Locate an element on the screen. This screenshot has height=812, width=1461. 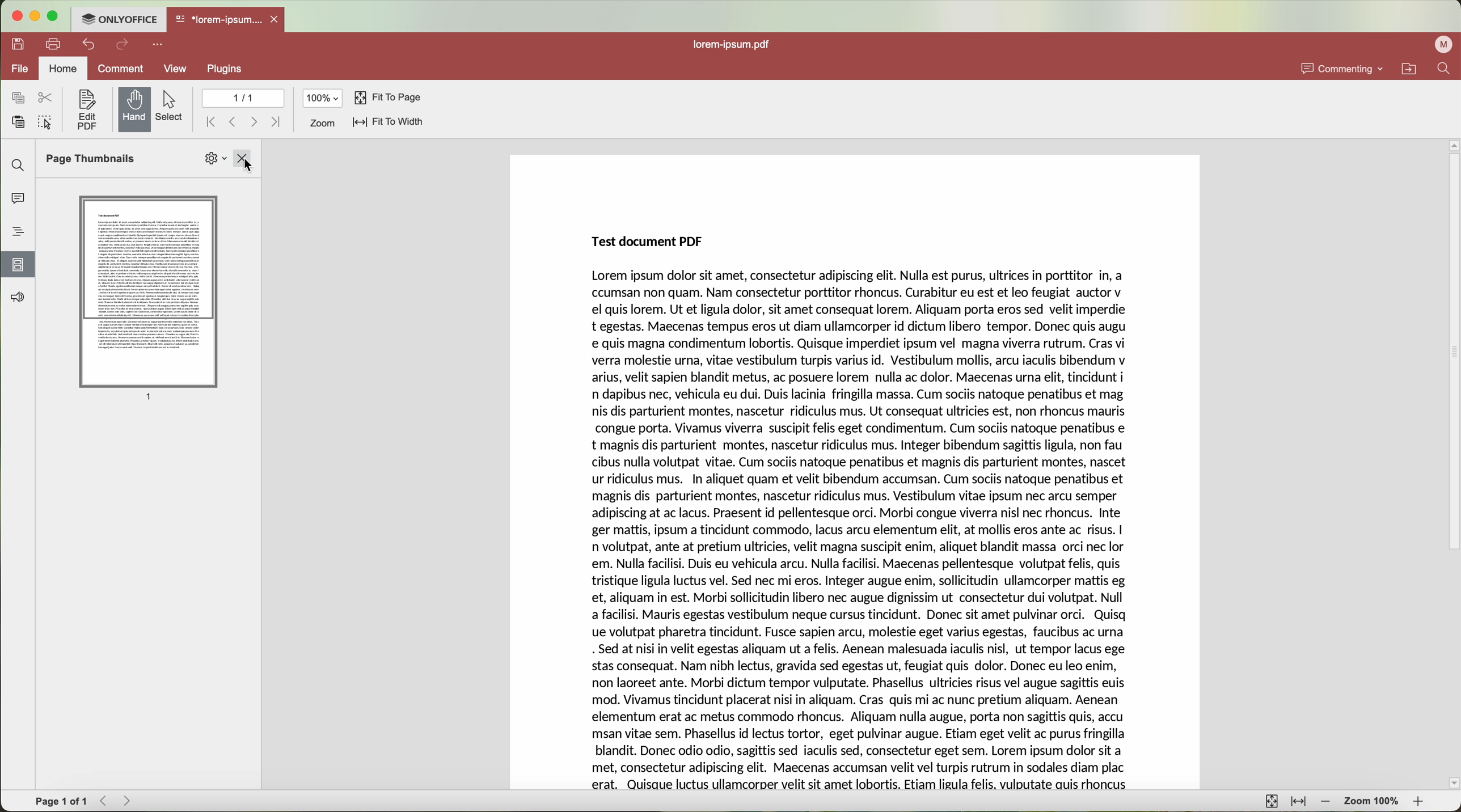
cut is located at coordinates (47, 98).